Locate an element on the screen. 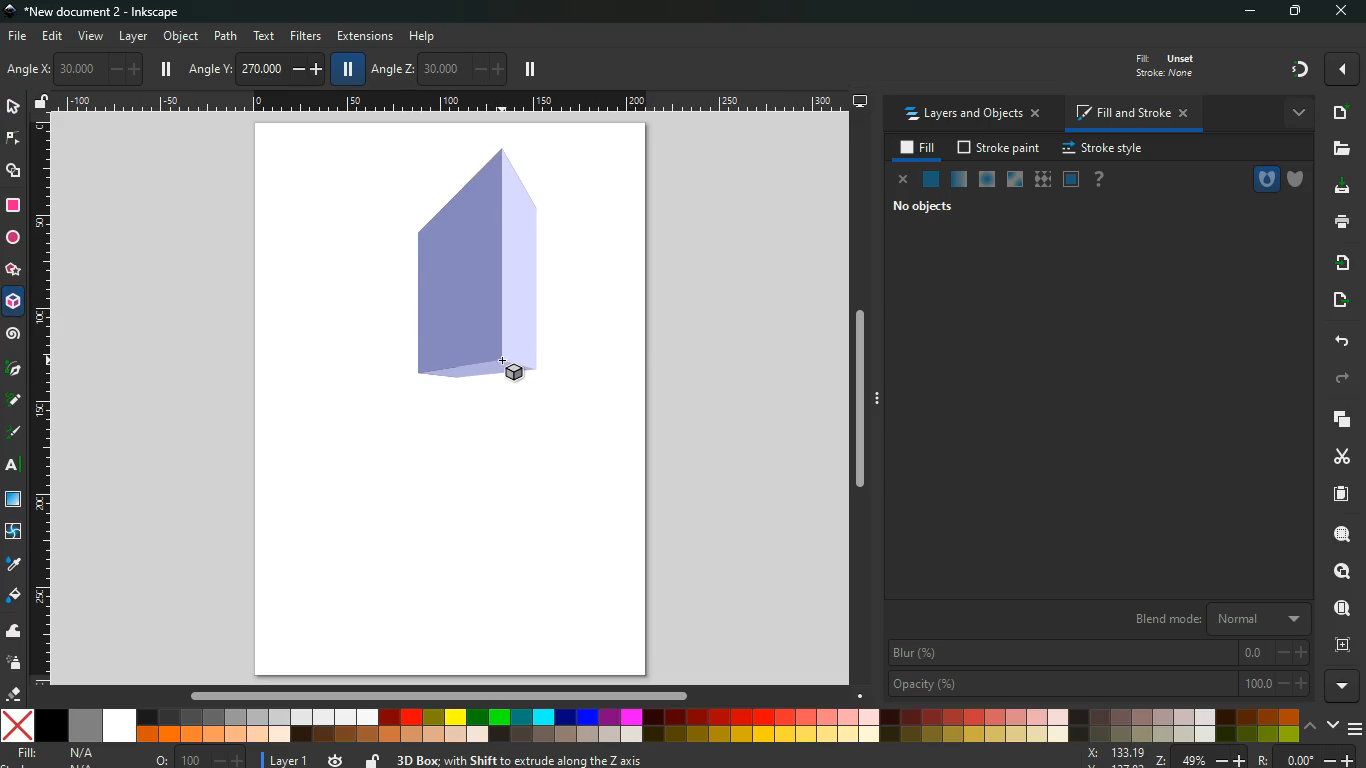 This screenshot has height=768, width=1366. minimize is located at coordinates (1255, 12).